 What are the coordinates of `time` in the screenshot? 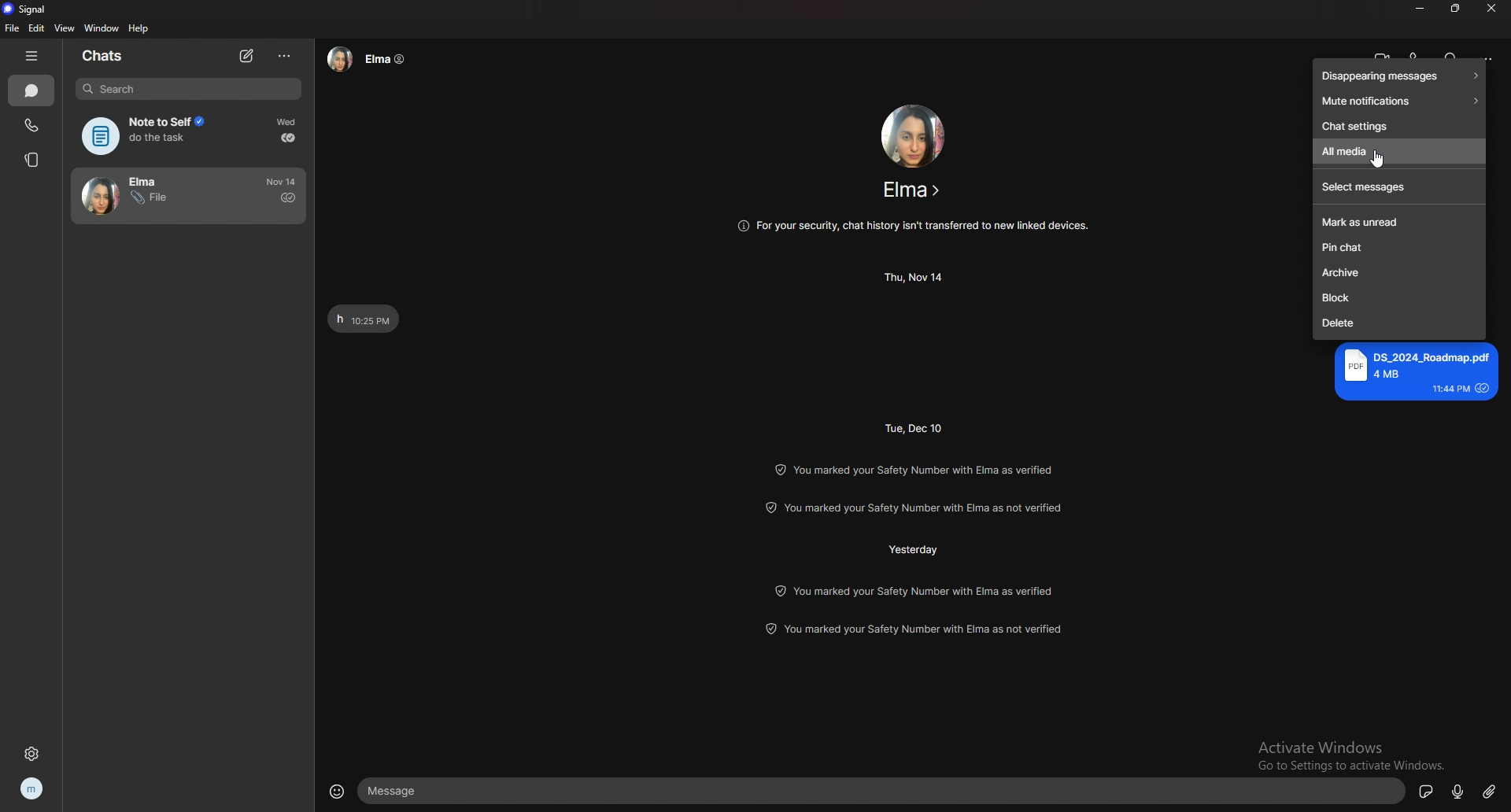 It's located at (917, 427).